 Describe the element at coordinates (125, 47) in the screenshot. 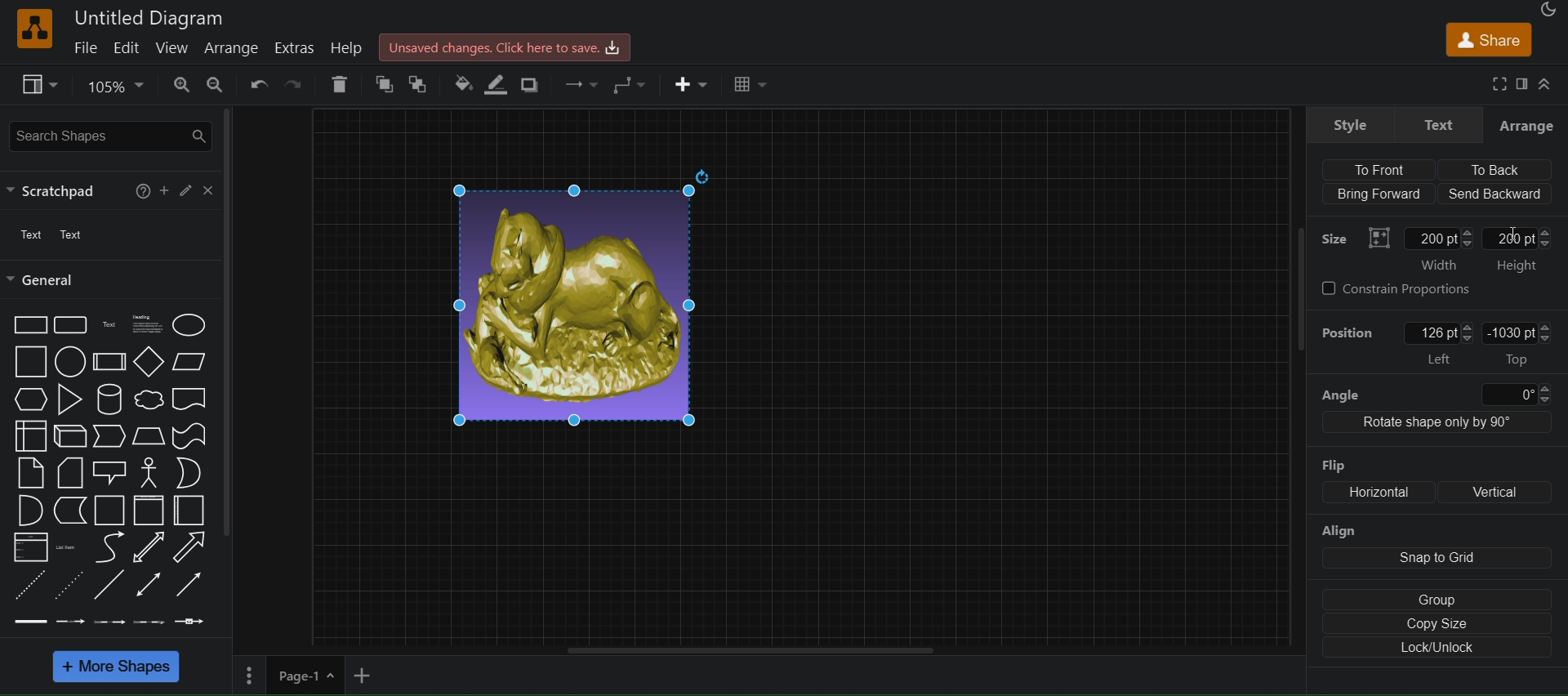

I see `edit` at that location.